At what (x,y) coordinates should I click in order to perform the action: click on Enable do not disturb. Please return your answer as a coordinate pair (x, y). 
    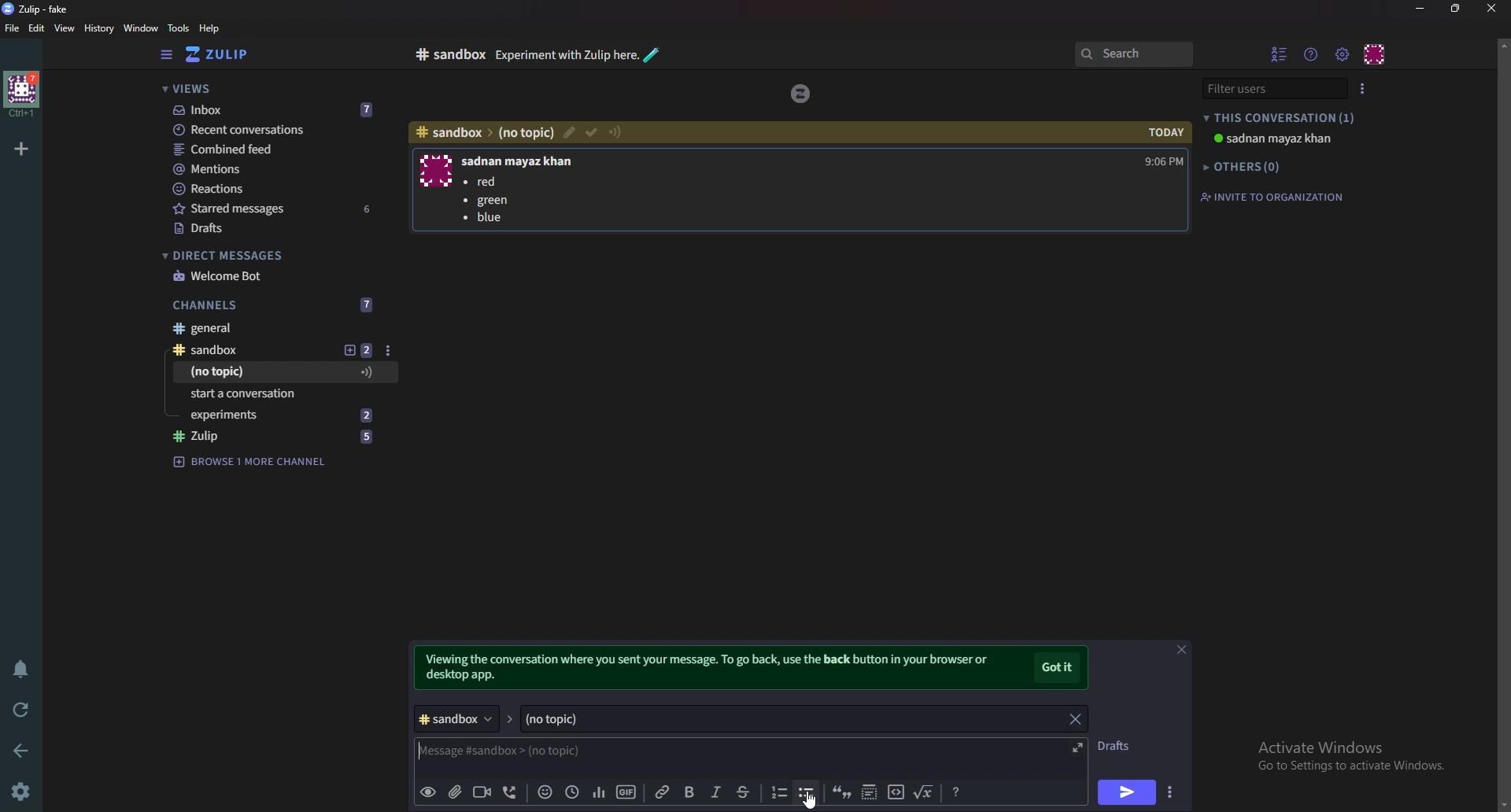
    Looking at the image, I should click on (24, 666).